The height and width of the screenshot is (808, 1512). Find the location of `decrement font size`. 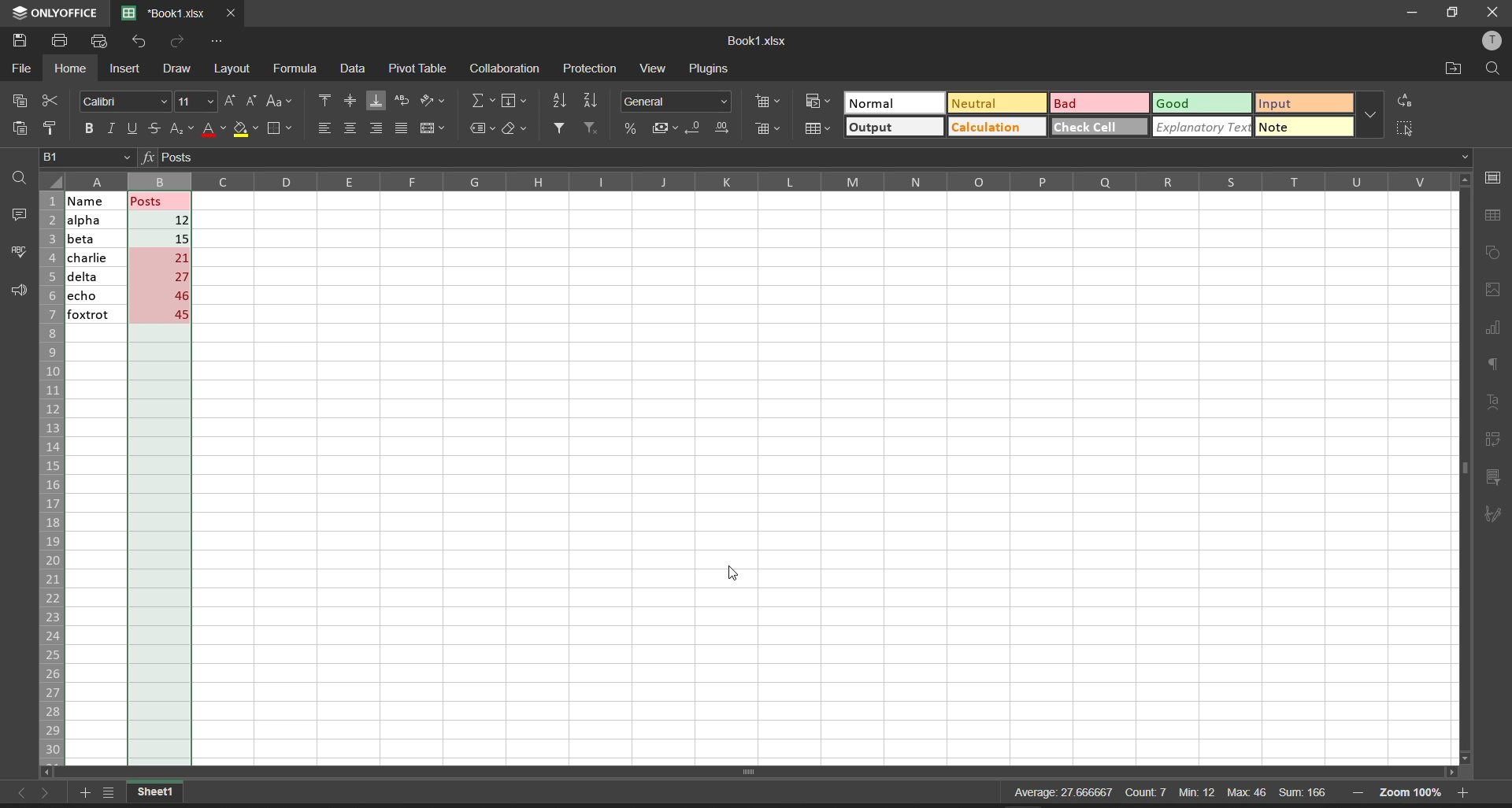

decrement font size is located at coordinates (253, 98).